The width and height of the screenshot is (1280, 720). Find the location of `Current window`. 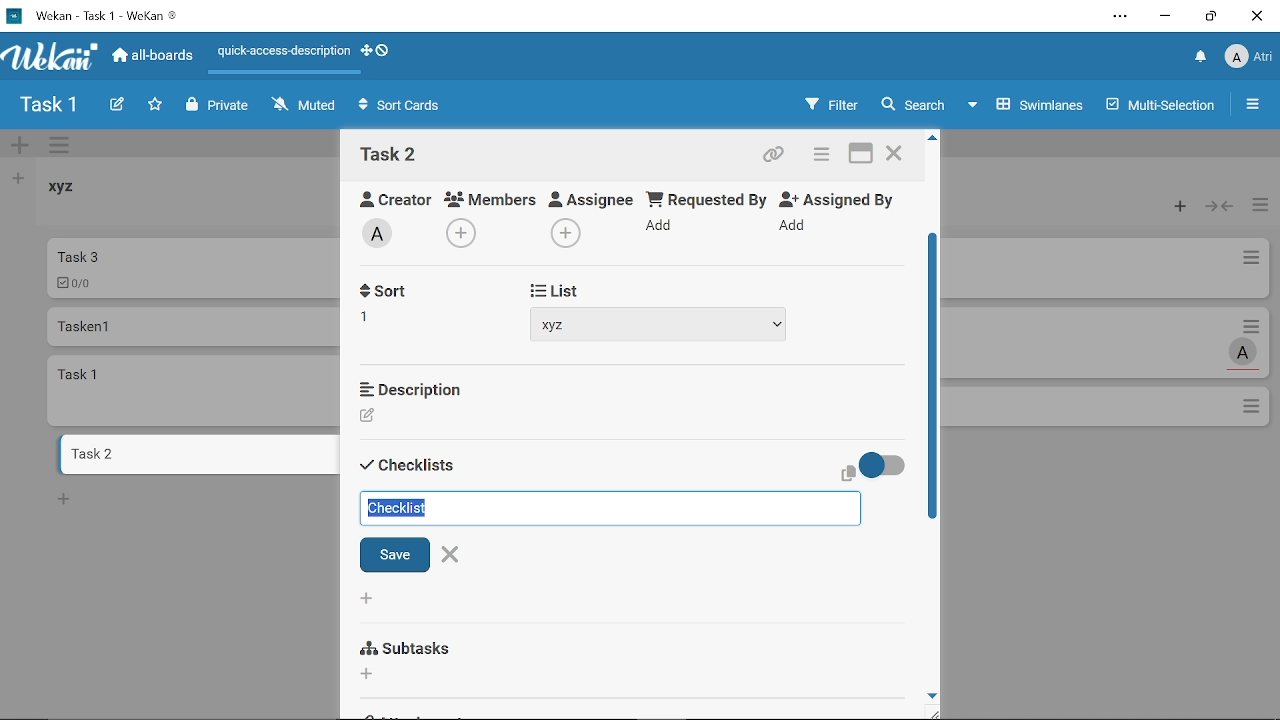

Current window is located at coordinates (92, 14).